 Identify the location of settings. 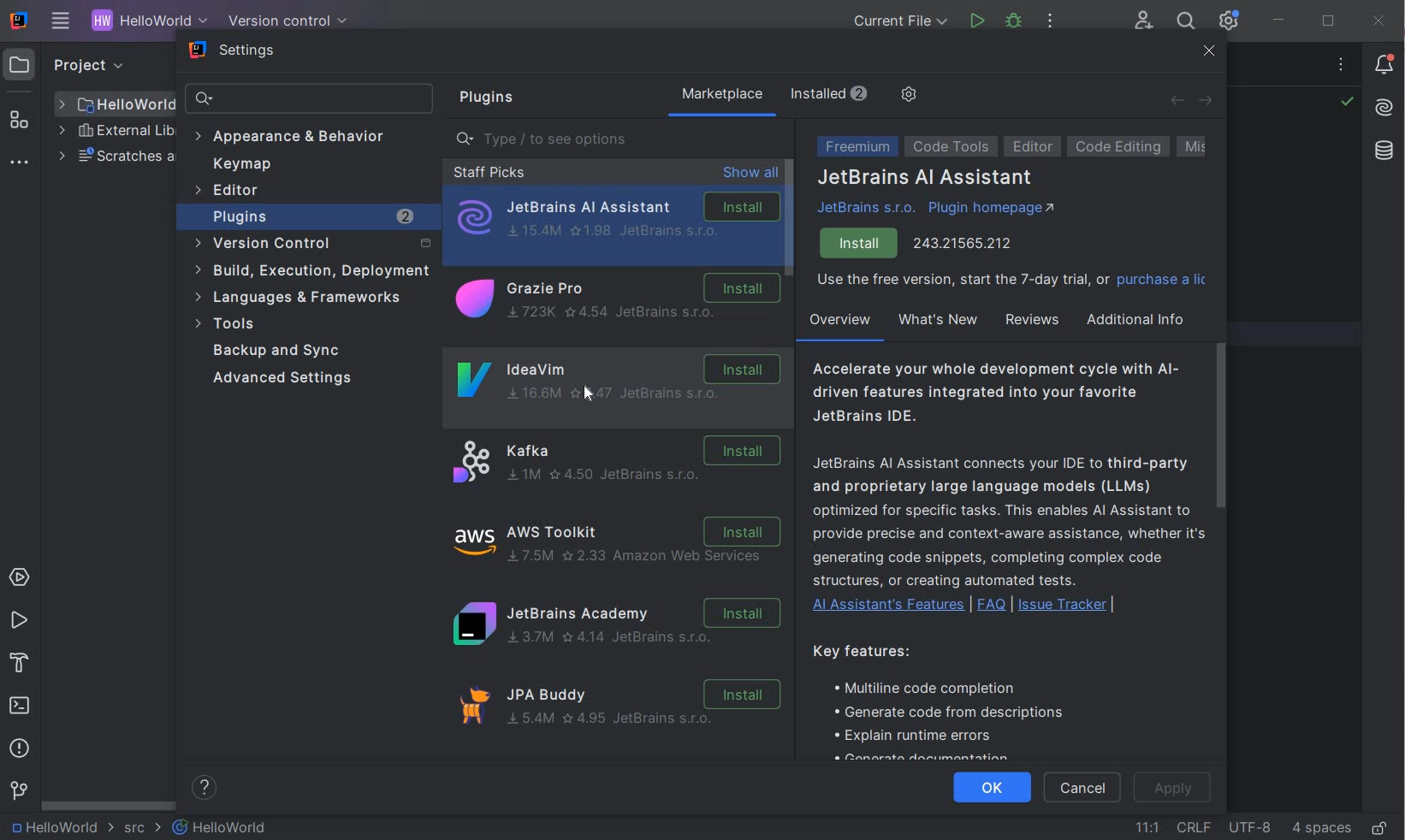
(234, 52).